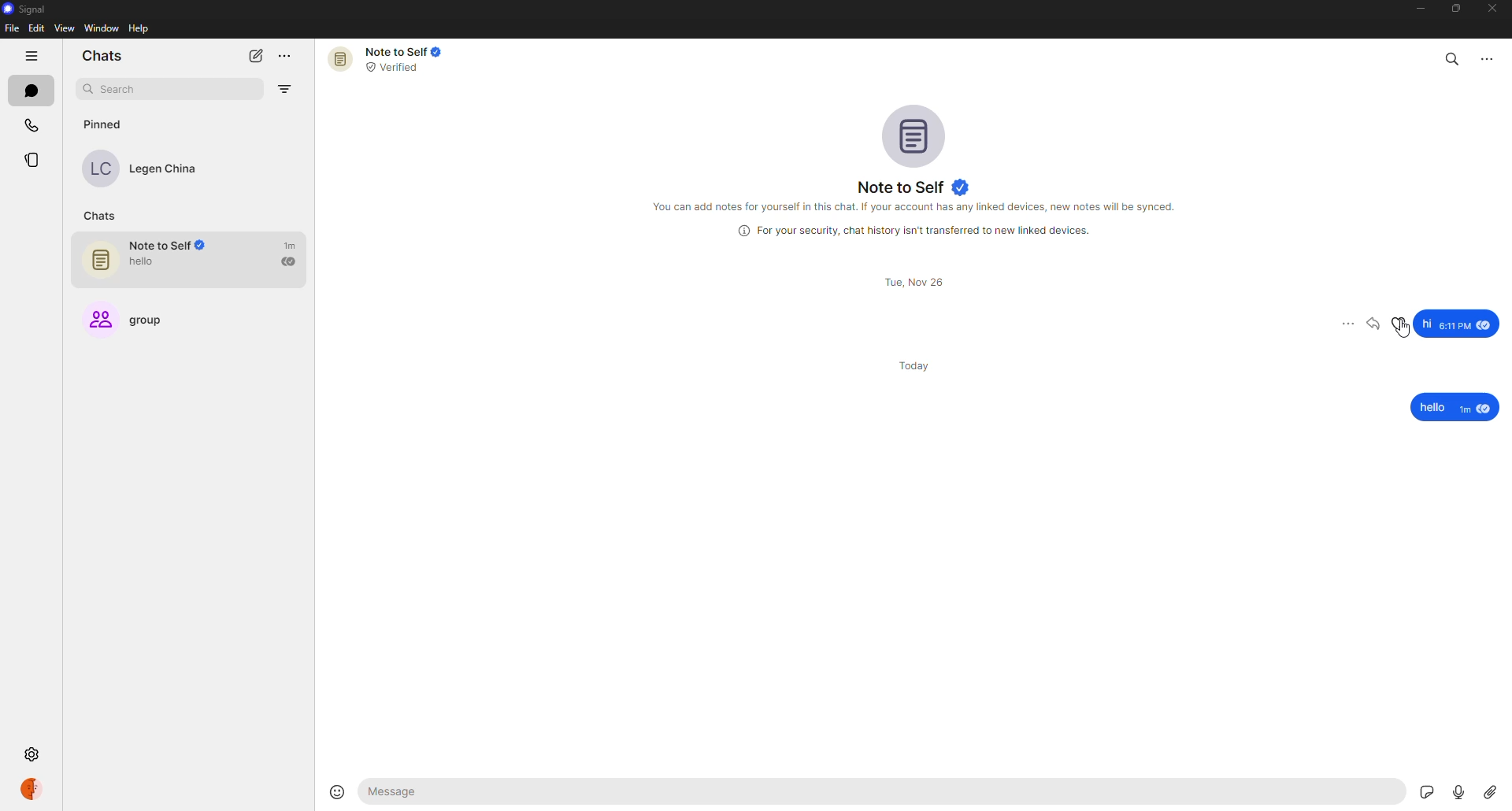  Describe the element at coordinates (1488, 57) in the screenshot. I see `more` at that location.